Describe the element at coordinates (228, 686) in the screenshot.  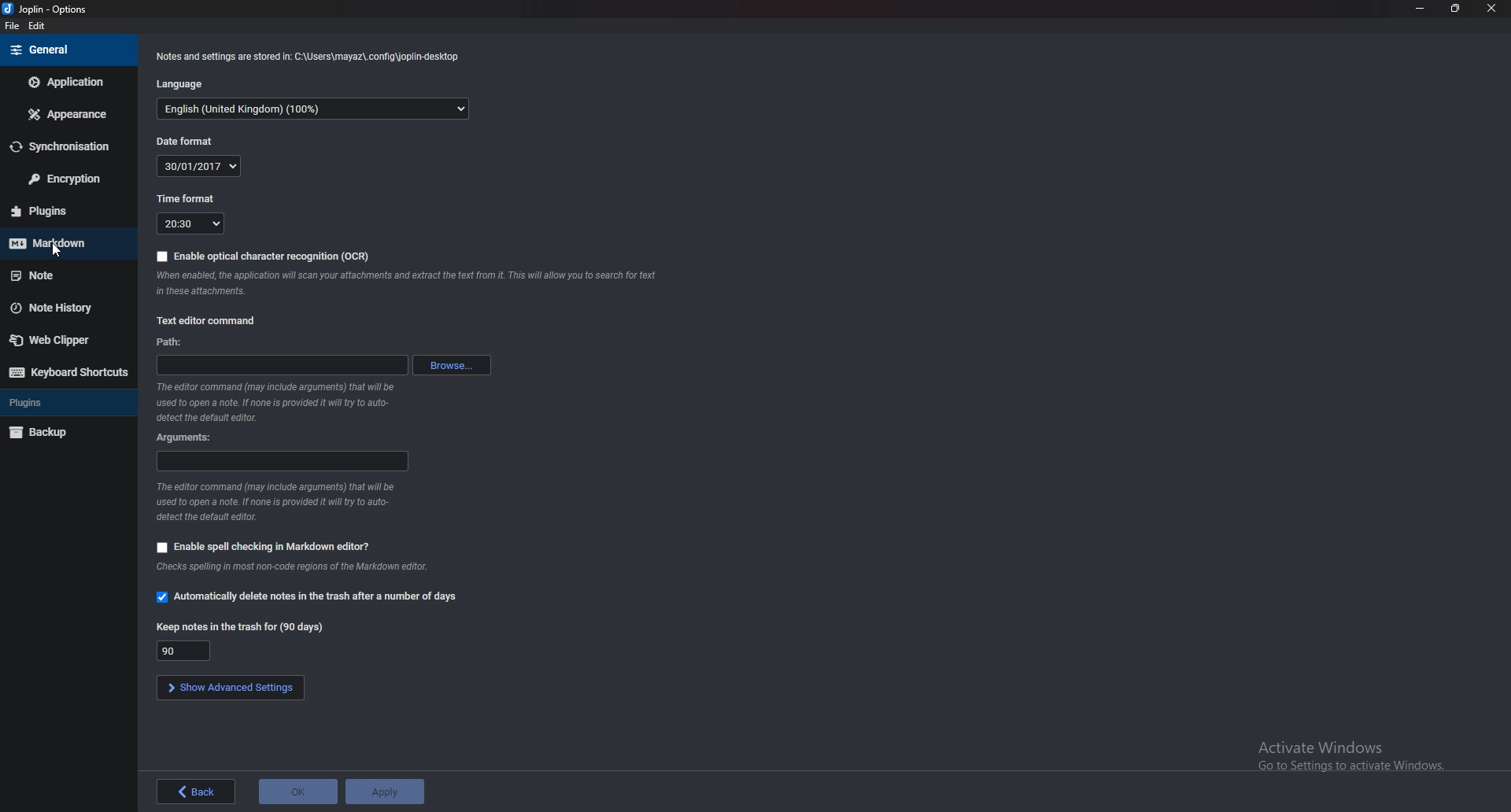
I see `show advanced settings` at that location.